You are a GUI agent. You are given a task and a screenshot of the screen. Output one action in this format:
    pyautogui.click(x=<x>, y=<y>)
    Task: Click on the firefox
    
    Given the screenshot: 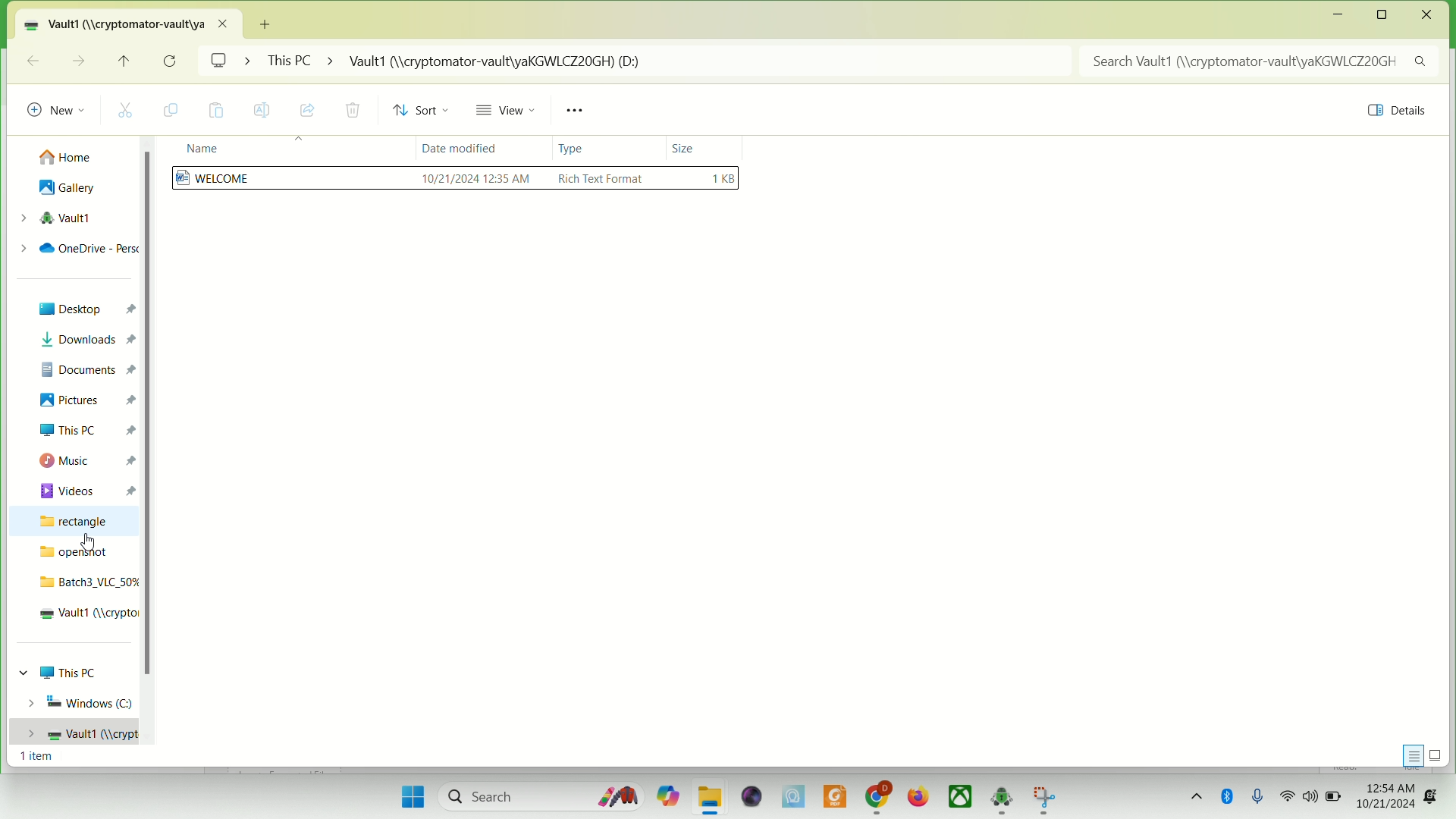 What is the action you would take?
    pyautogui.click(x=918, y=796)
    